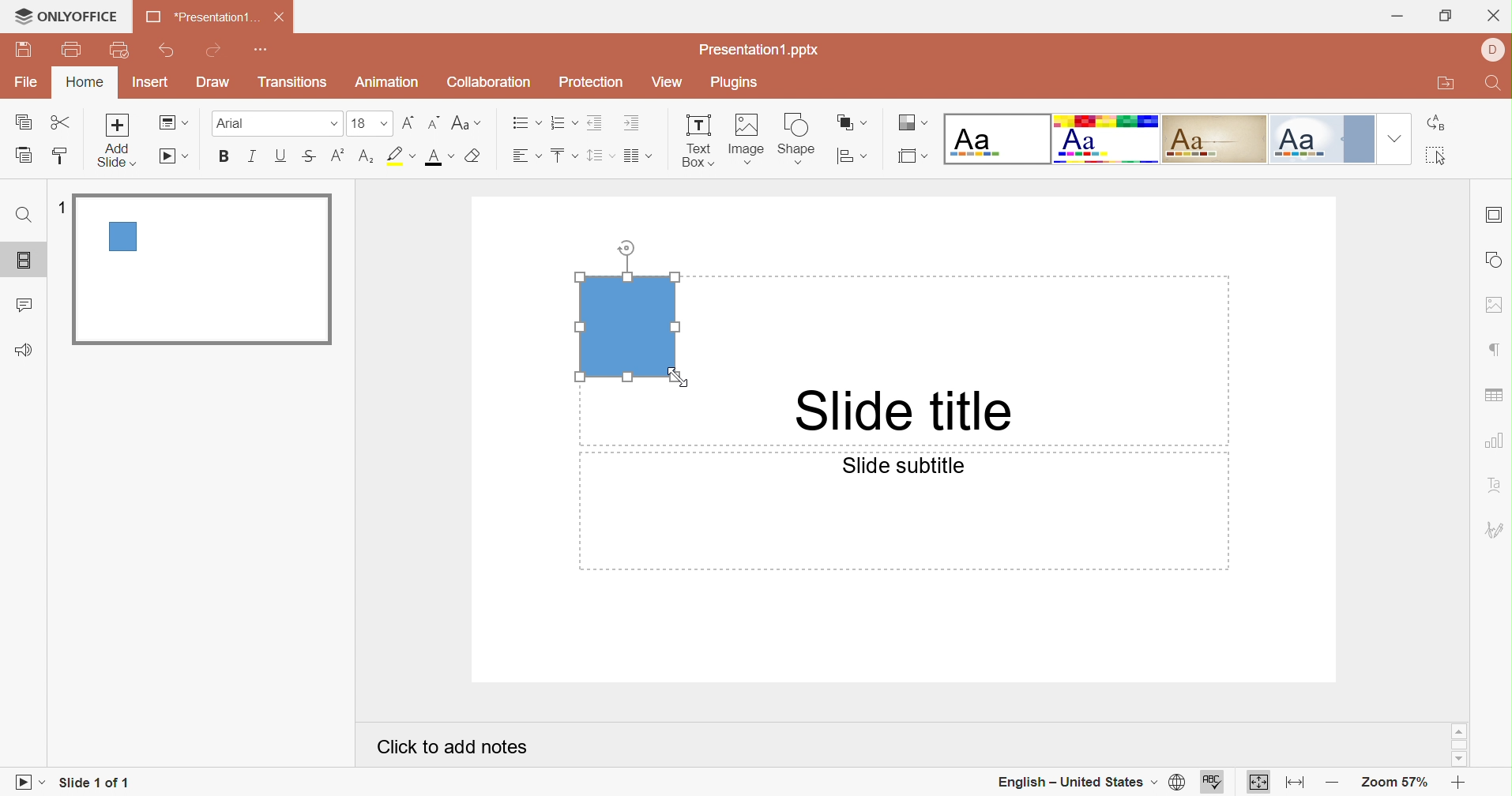 The width and height of the screenshot is (1512, 796). I want to click on Select all, so click(1439, 157).